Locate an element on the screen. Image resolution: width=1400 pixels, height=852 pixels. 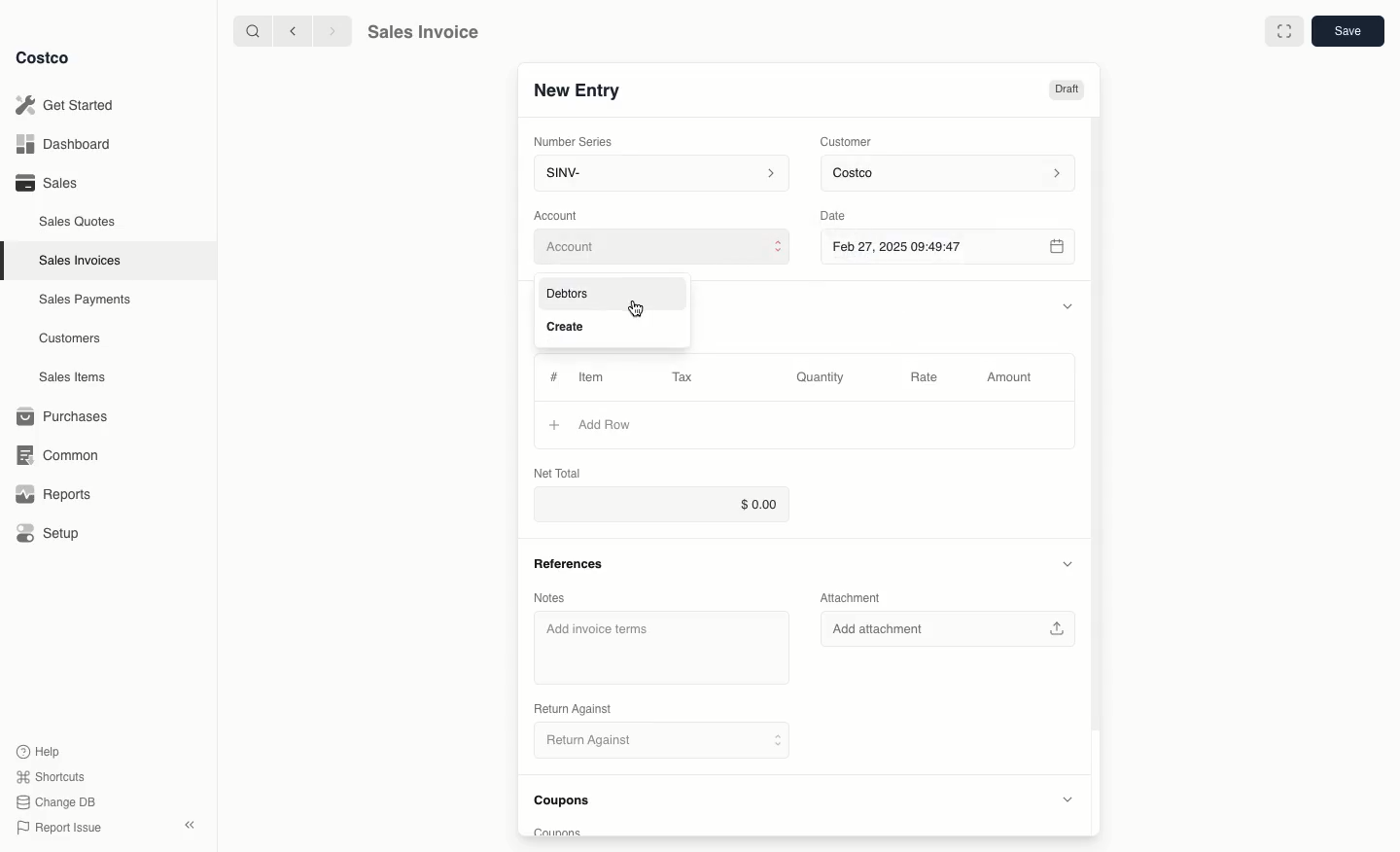
Tax is located at coordinates (687, 376).